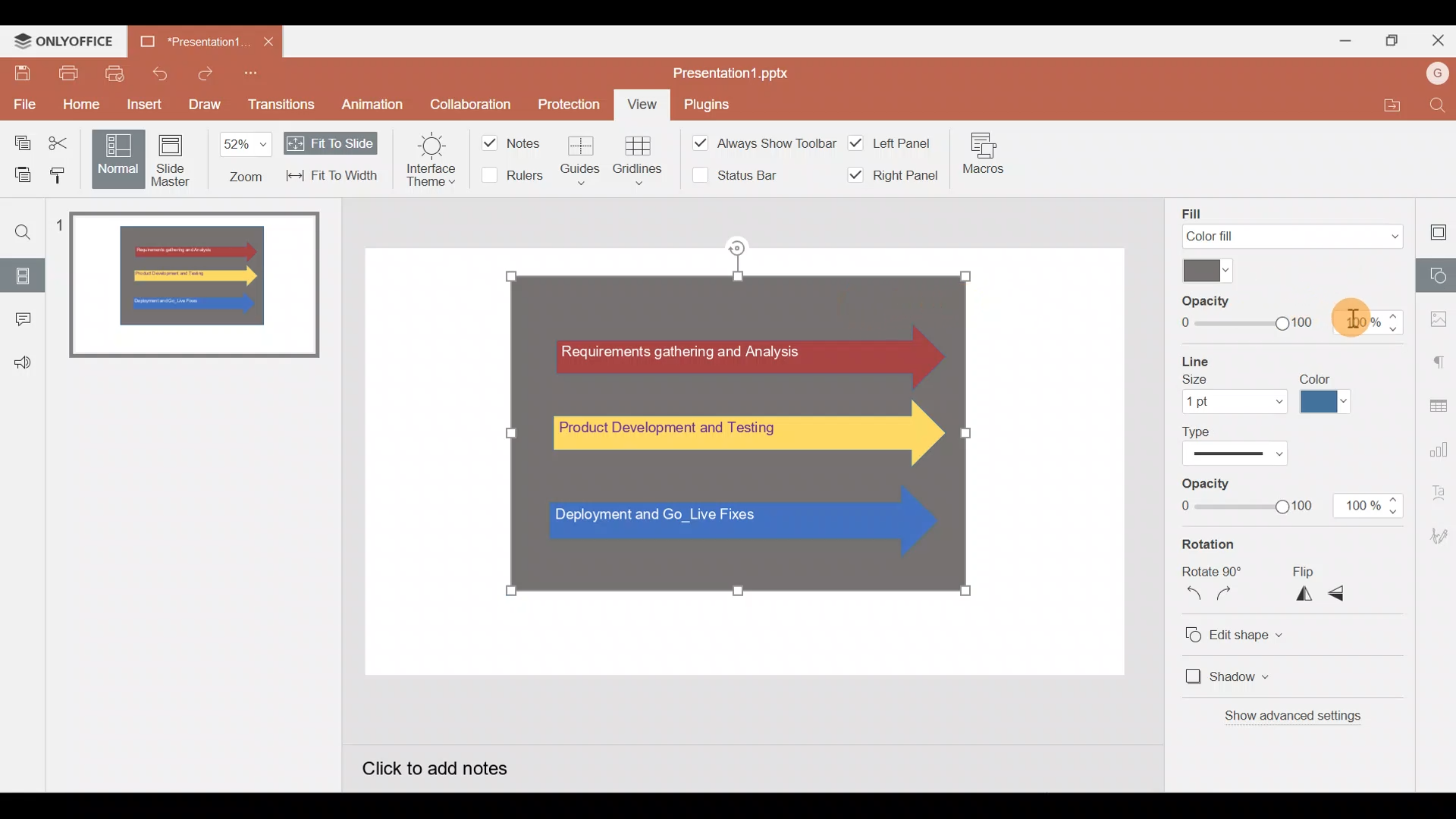 This screenshot has height=819, width=1456. I want to click on Animation, so click(374, 102).